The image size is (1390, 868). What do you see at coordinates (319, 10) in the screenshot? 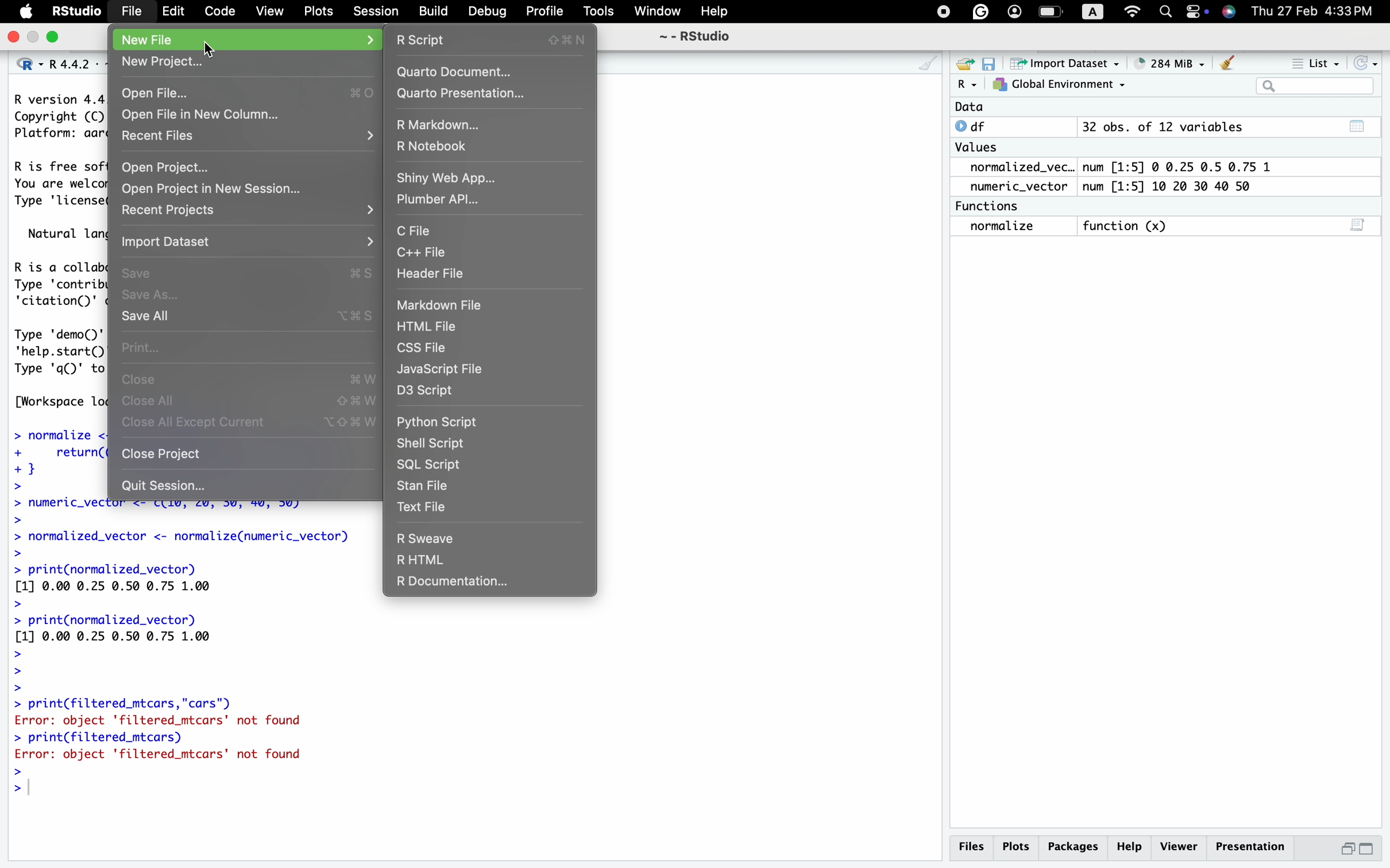
I see `Plots` at bounding box center [319, 10].